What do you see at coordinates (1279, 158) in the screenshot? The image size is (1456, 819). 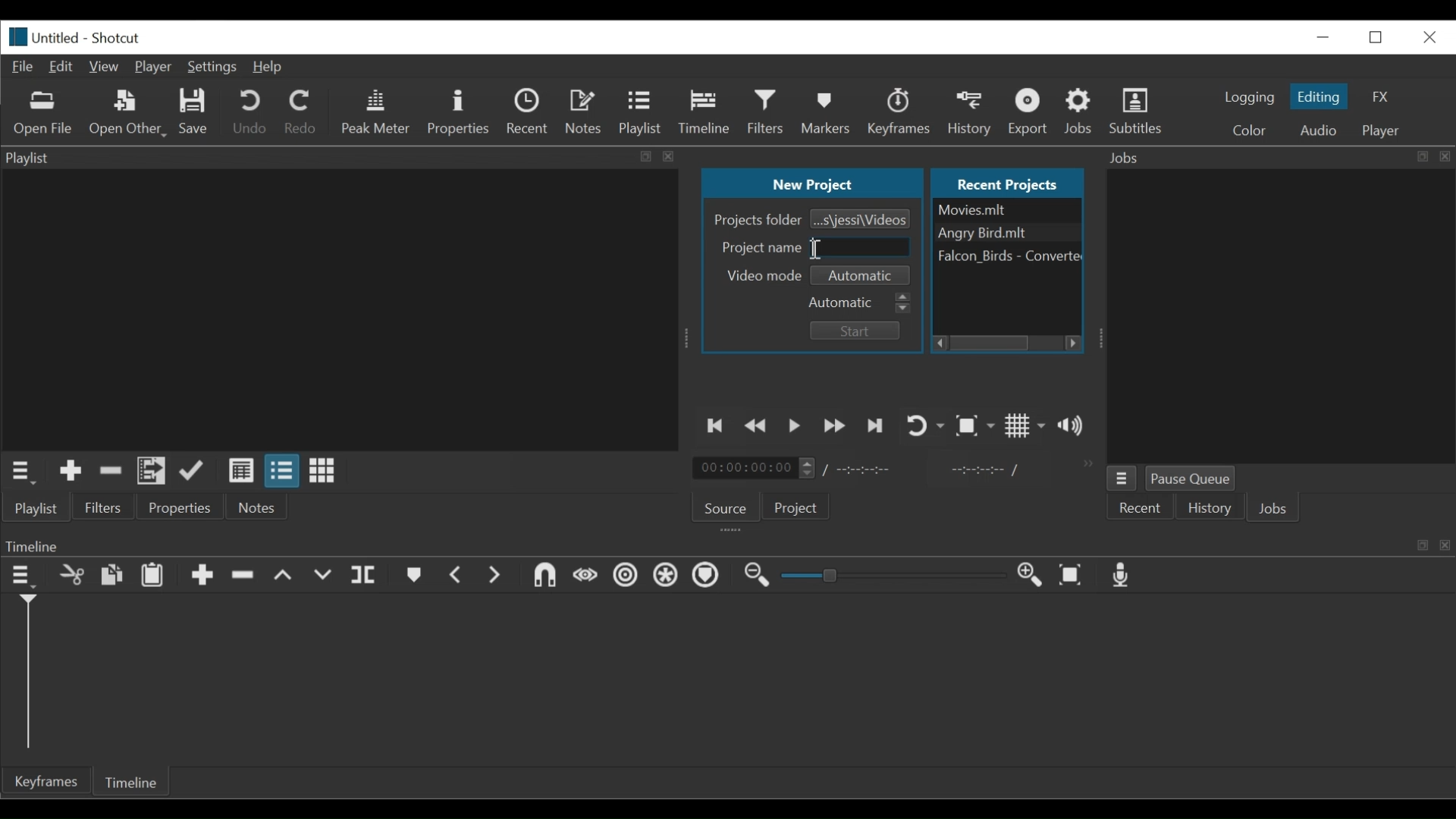 I see `Jobs Panel` at bounding box center [1279, 158].